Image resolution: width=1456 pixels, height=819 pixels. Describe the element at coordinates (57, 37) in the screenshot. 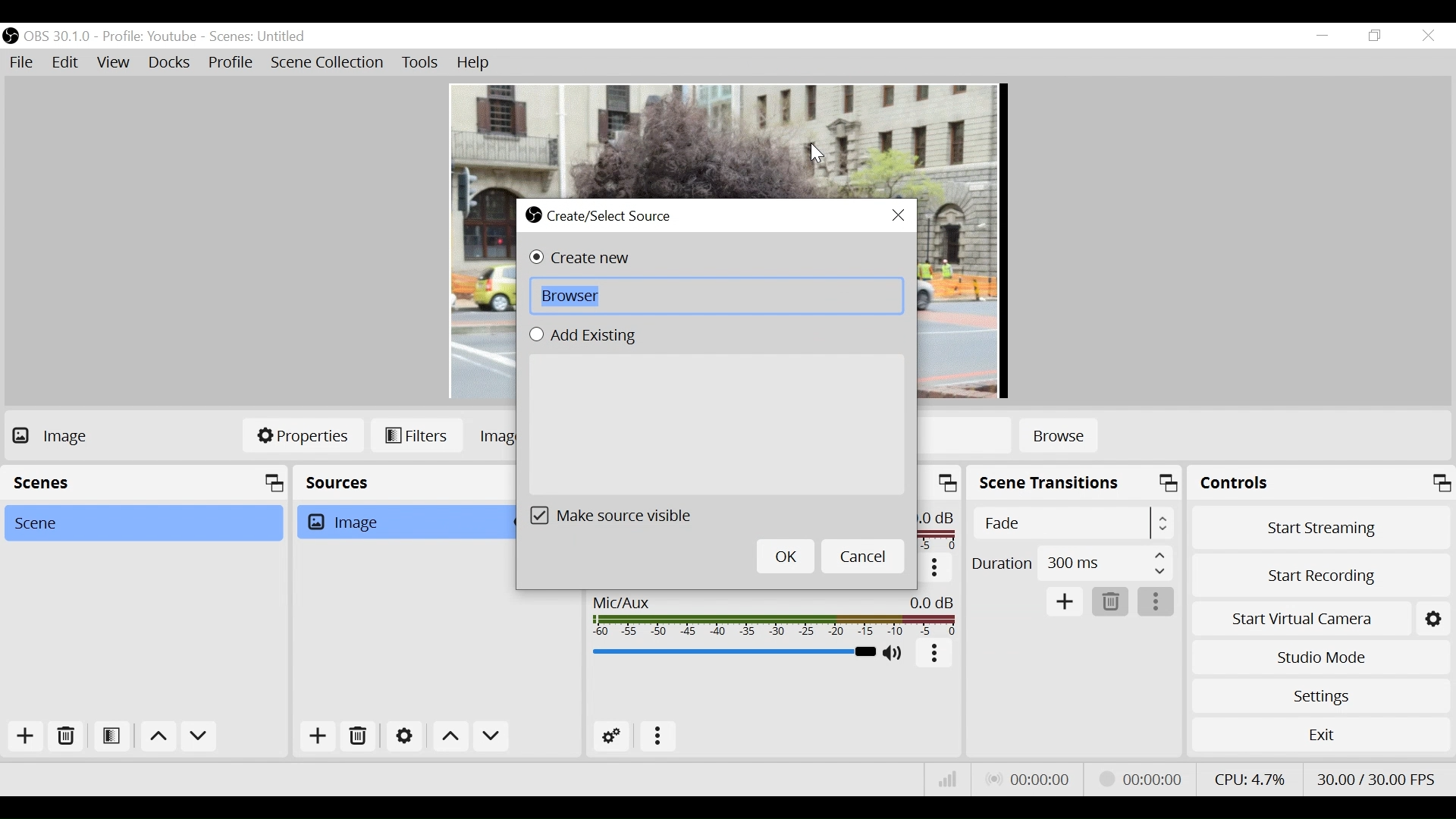

I see `OBS Version` at that location.